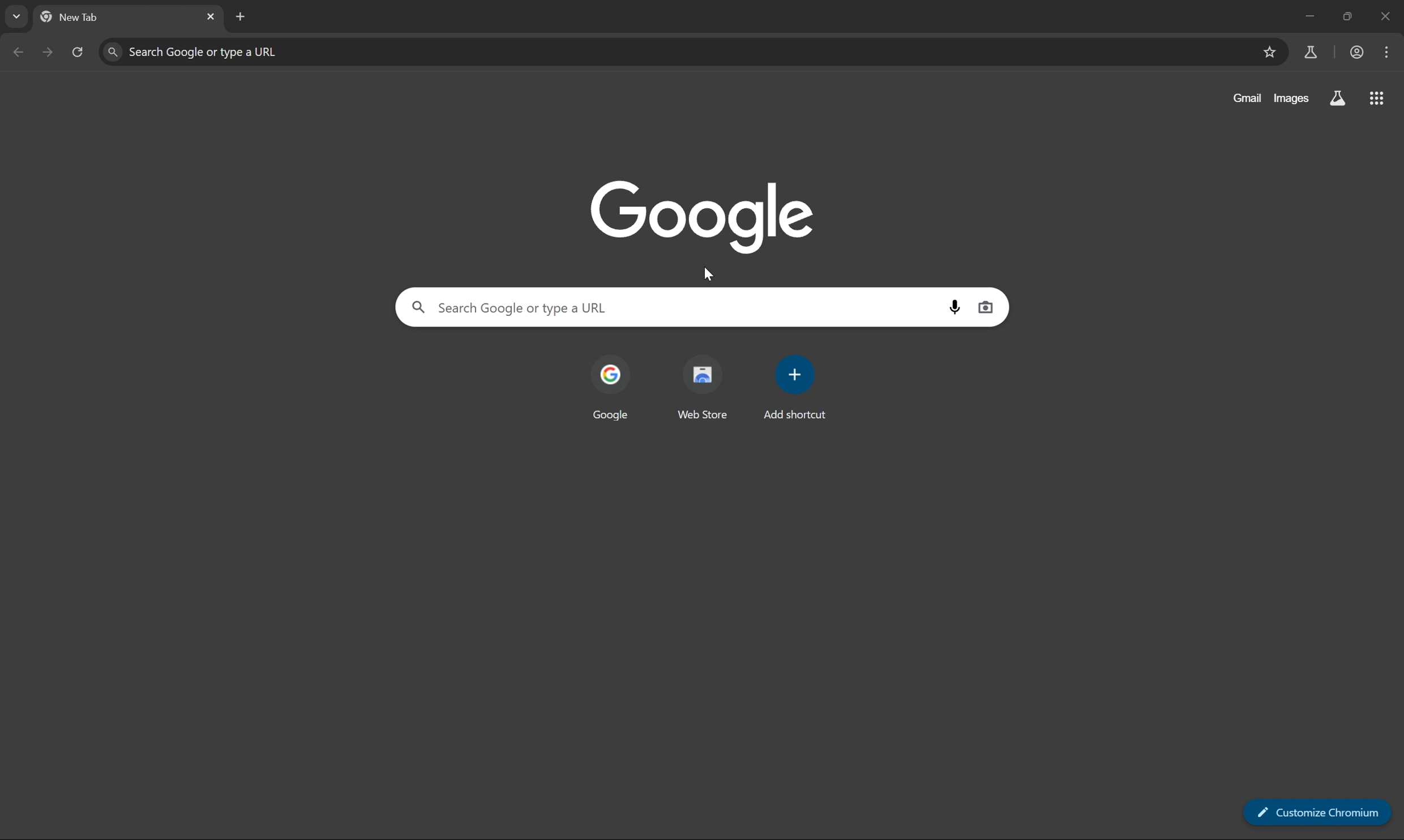 The image size is (1404, 840). Describe the element at coordinates (19, 16) in the screenshot. I see `drop down` at that location.